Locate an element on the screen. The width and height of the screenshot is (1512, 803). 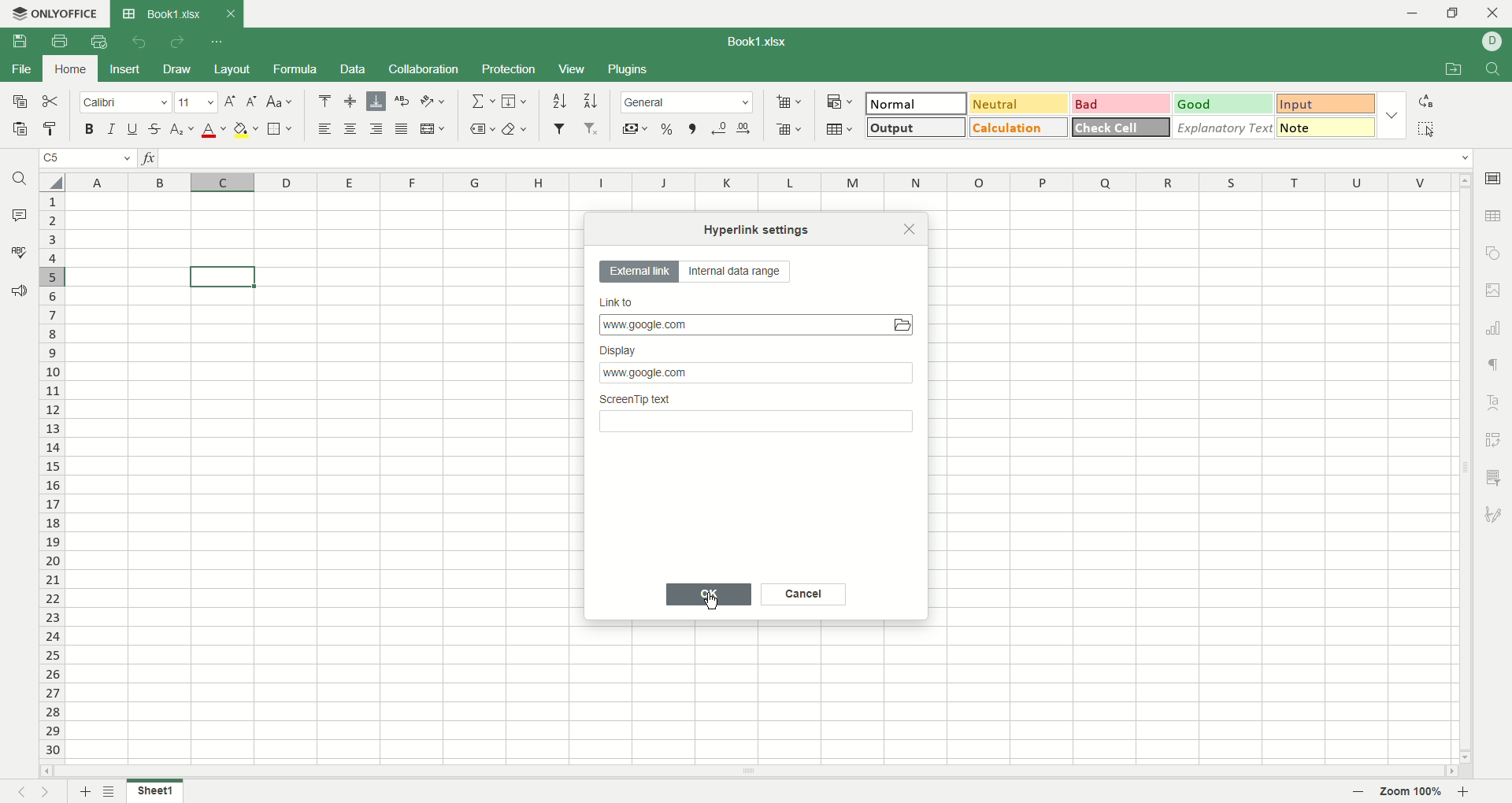
wrap text is located at coordinates (403, 101).